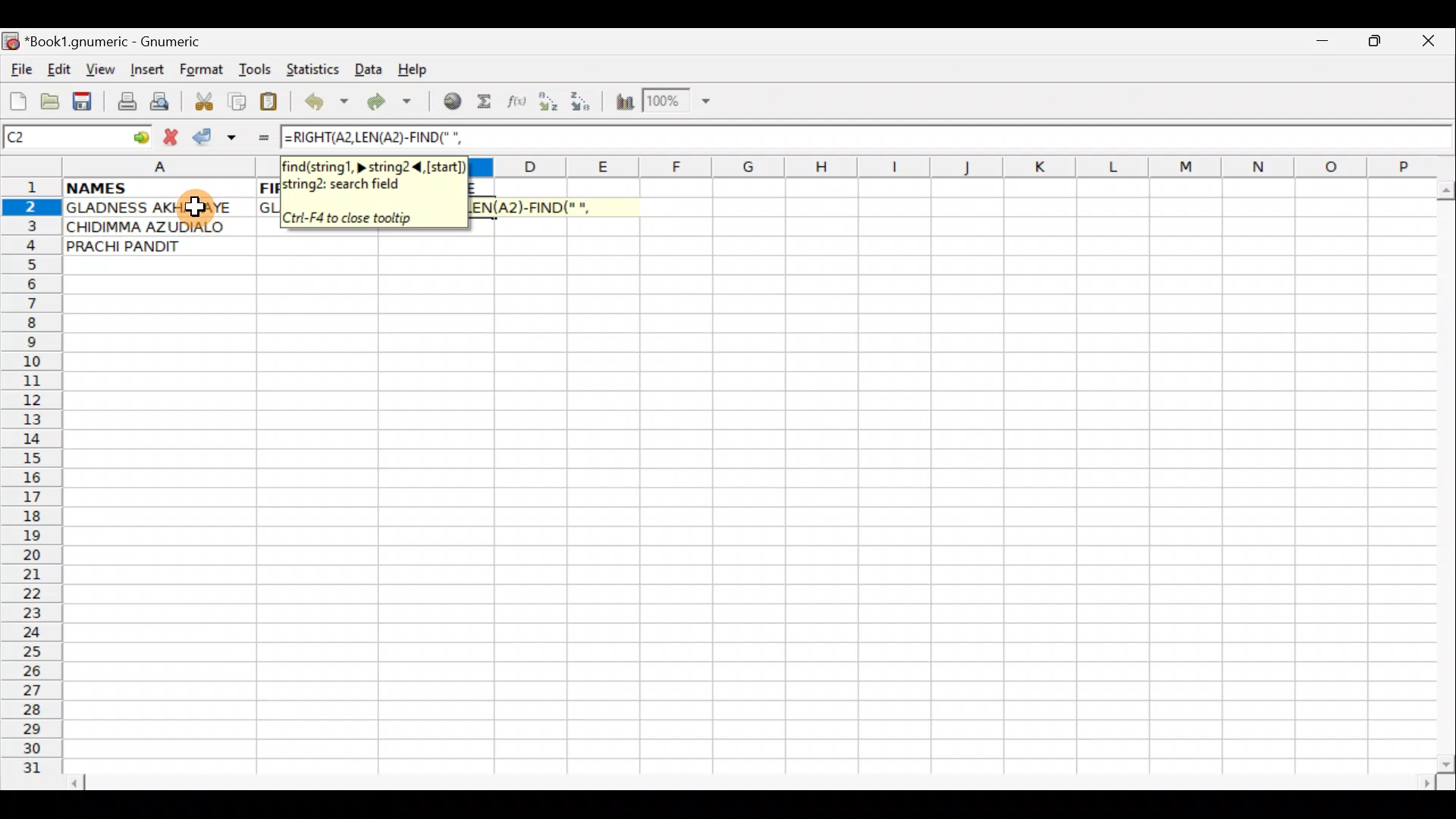 The width and height of the screenshot is (1456, 819). What do you see at coordinates (140, 135) in the screenshot?
I see `go to` at bounding box center [140, 135].